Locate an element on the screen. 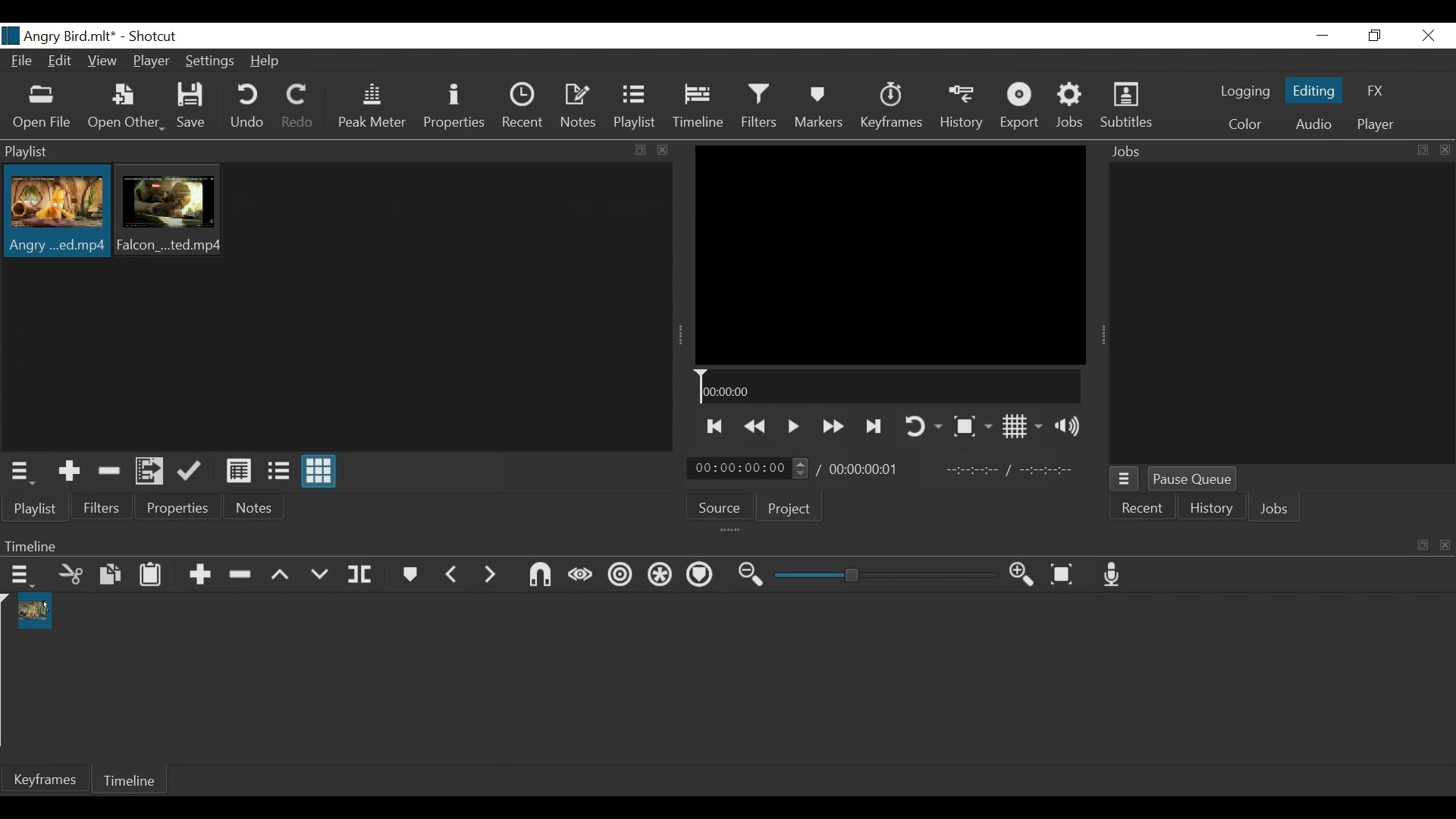 Image resolution: width=1456 pixels, height=819 pixels. Record audio track is located at coordinates (1114, 576).